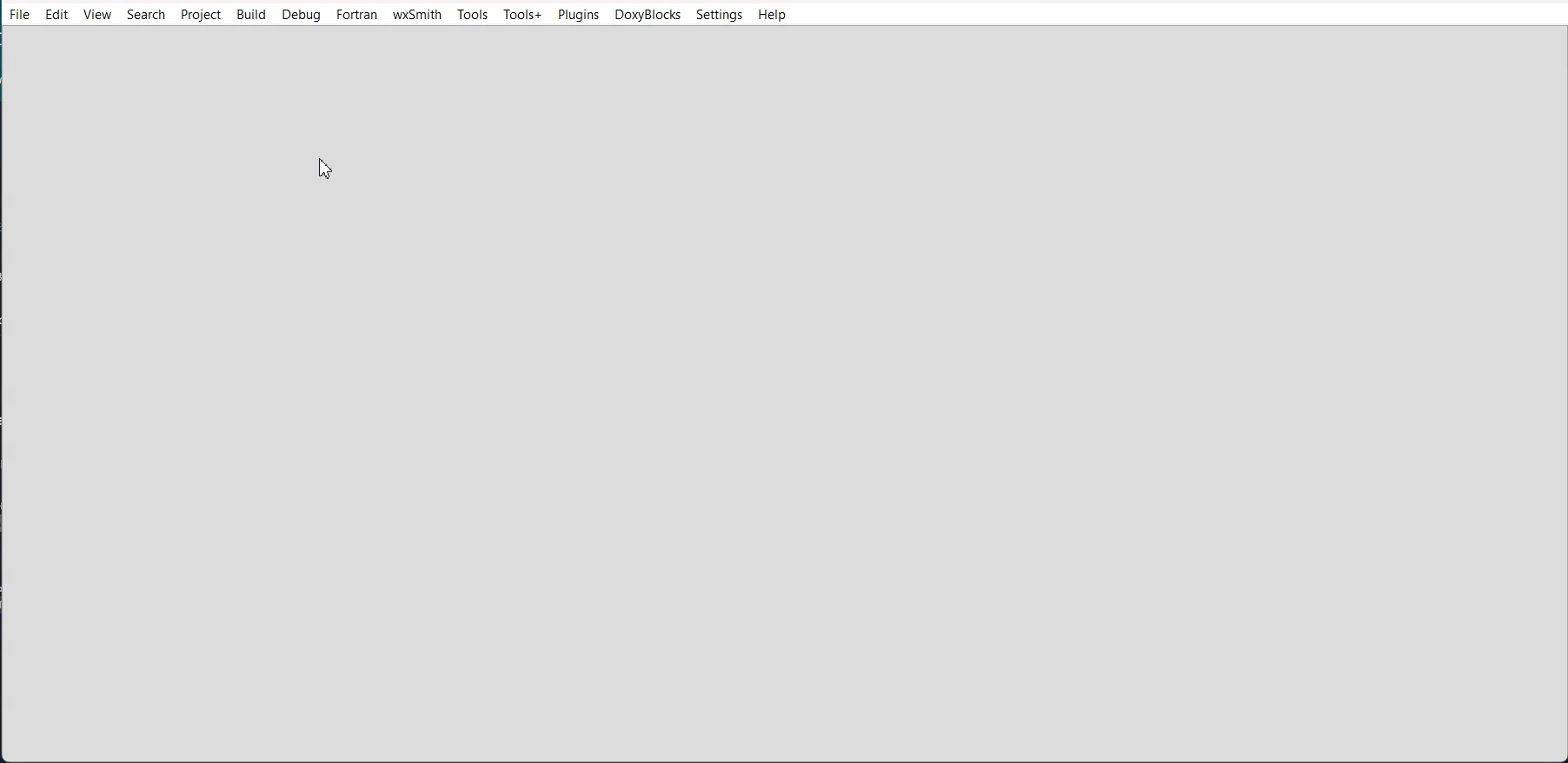  Describe the element at coordinates (200, 15) in the screenshot. I see `Project` at that location.